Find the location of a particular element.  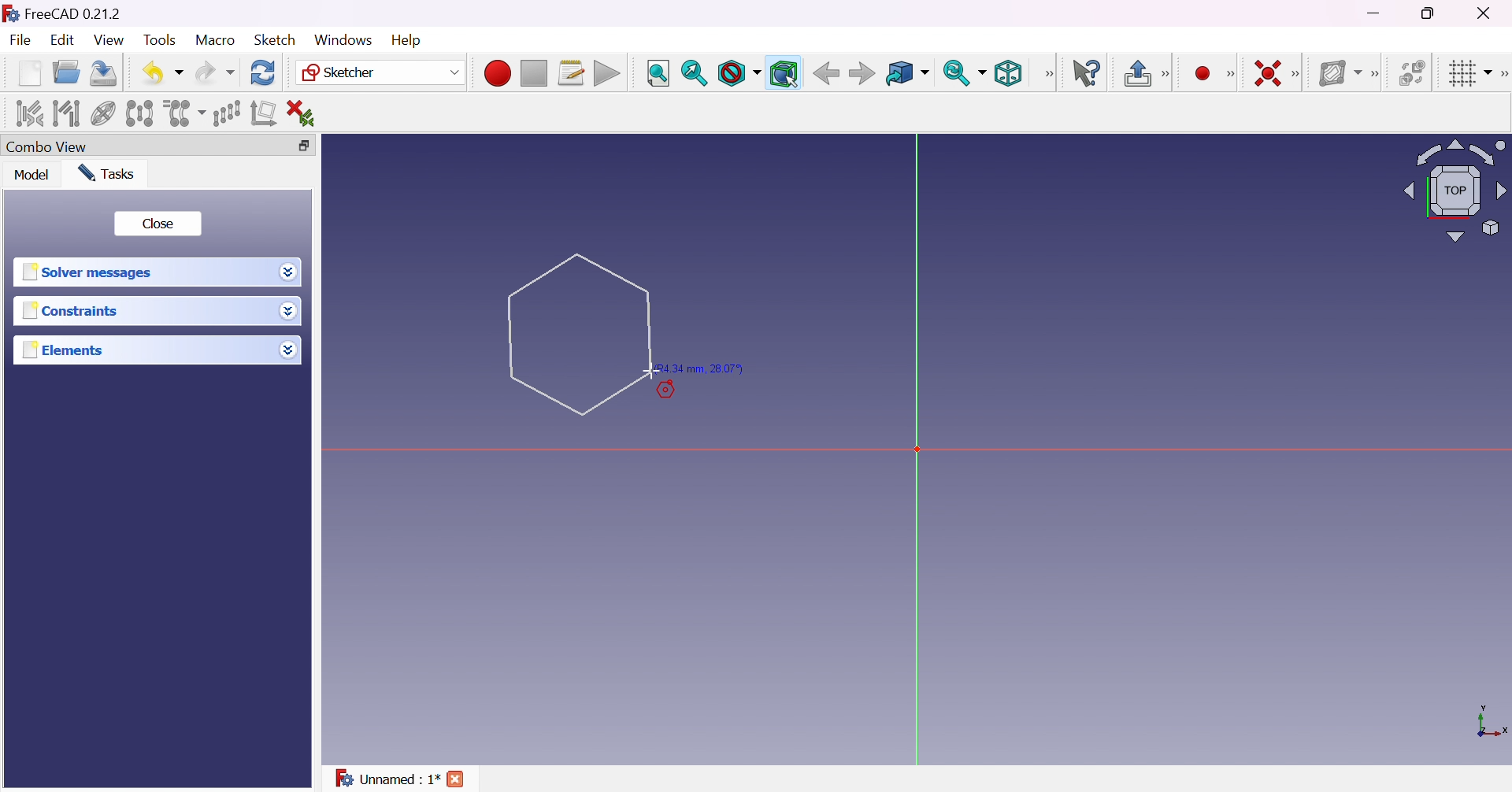

Show/hide internal geometry is located at coordinates (104, 116).